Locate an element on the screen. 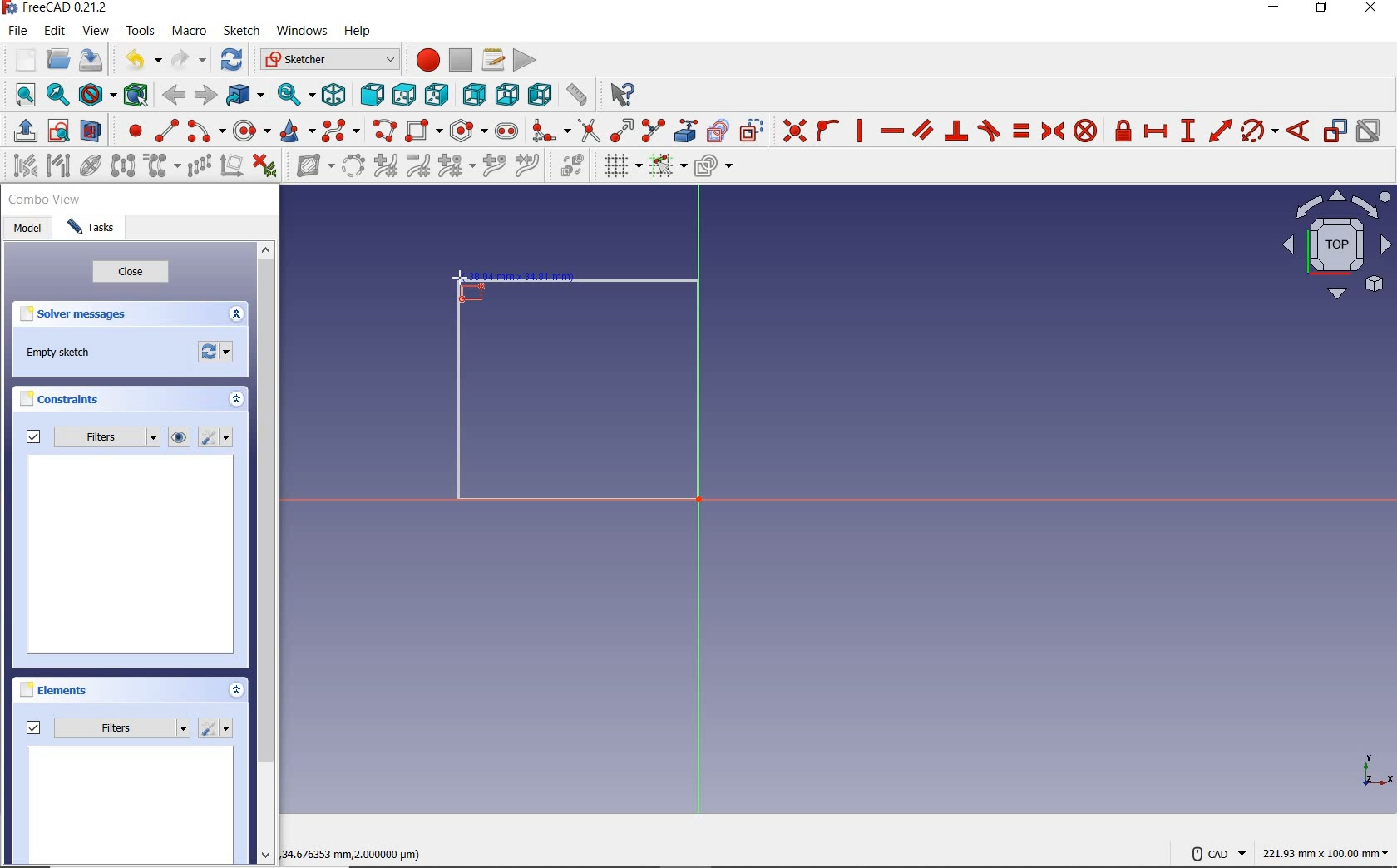  expand is located at coordinates (237, 401).